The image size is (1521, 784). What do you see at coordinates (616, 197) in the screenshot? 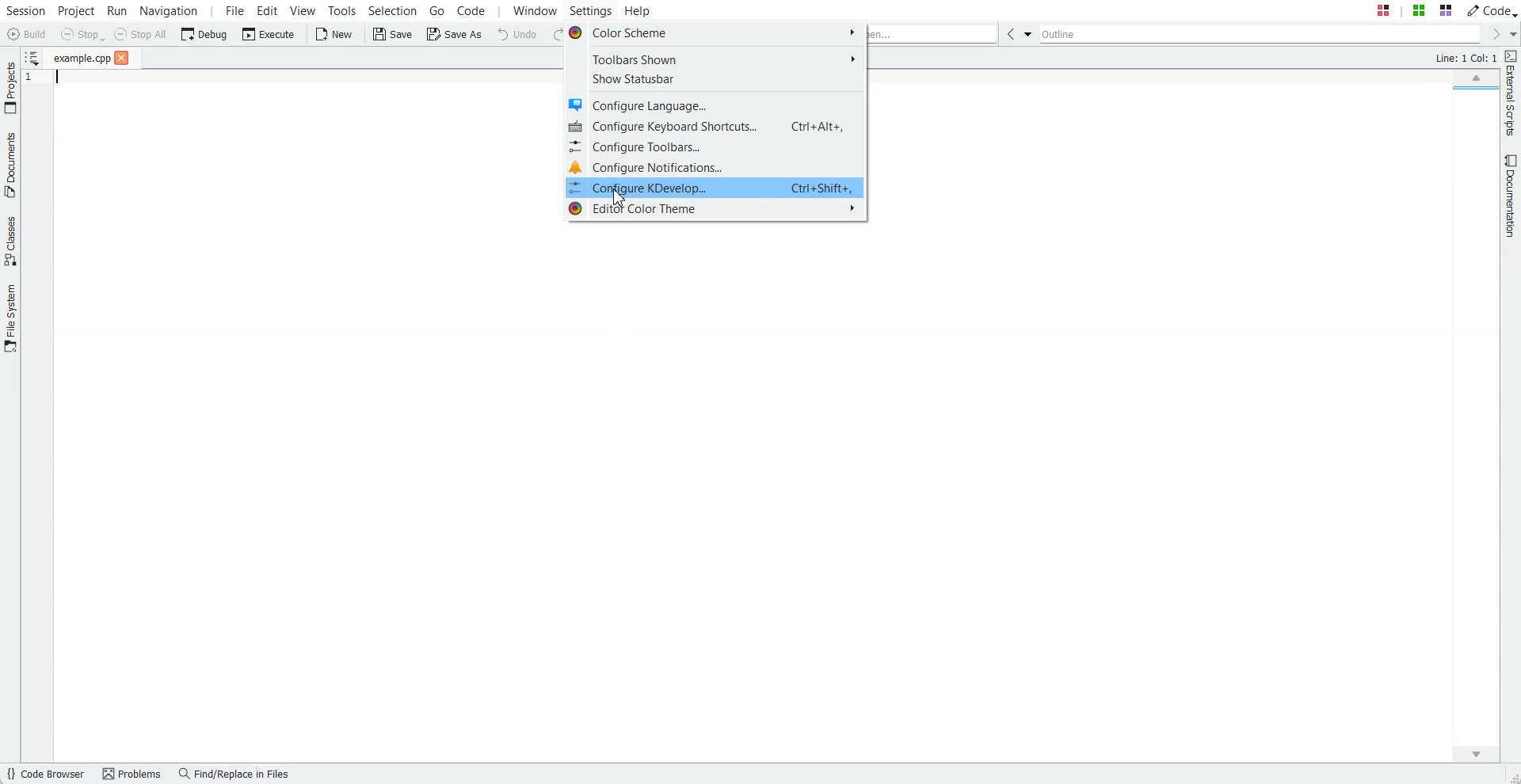
I see `Cursor` at bounding box center [616, 197].